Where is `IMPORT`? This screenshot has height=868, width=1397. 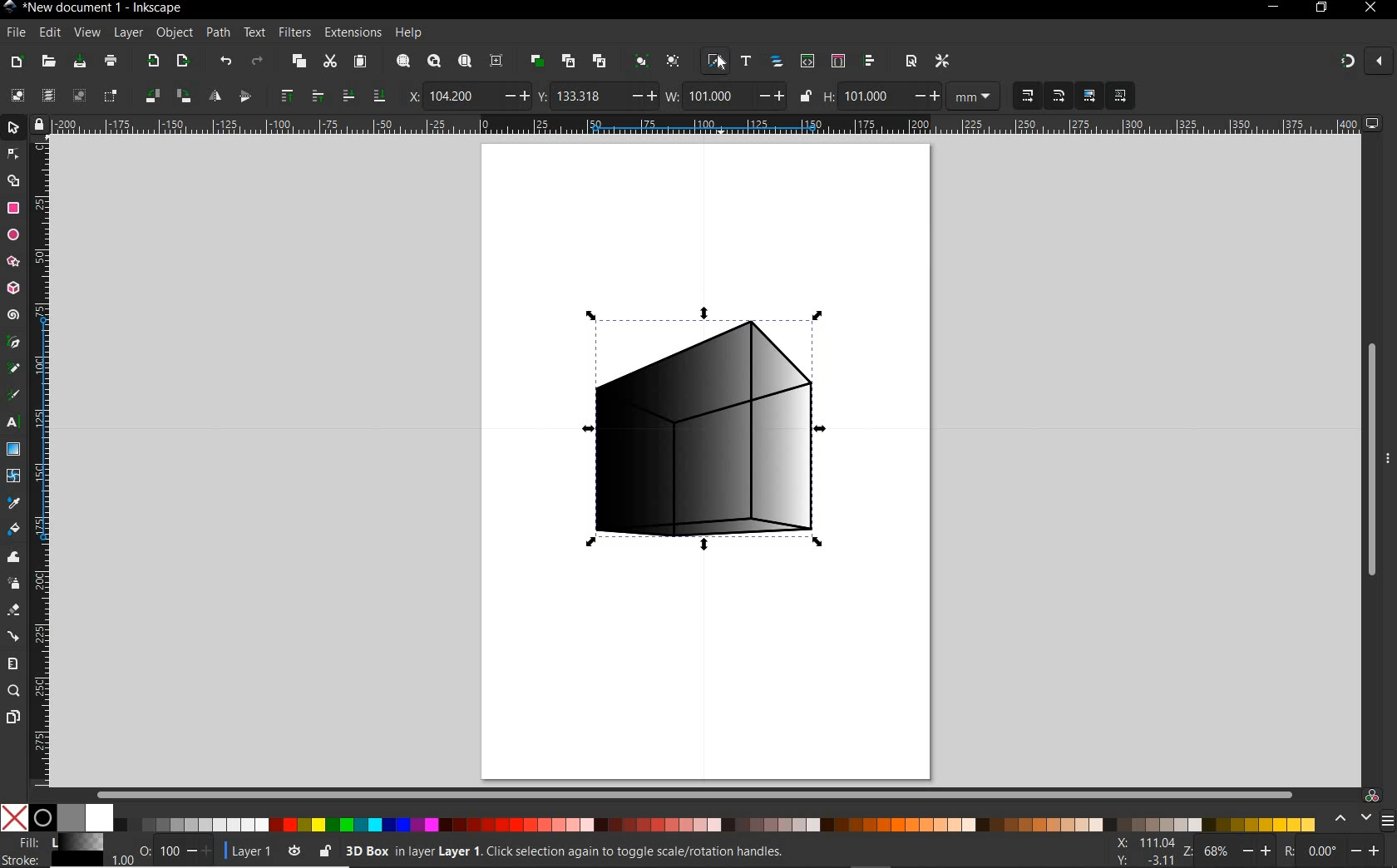 IMPORT is located at coordinates (152, 60).